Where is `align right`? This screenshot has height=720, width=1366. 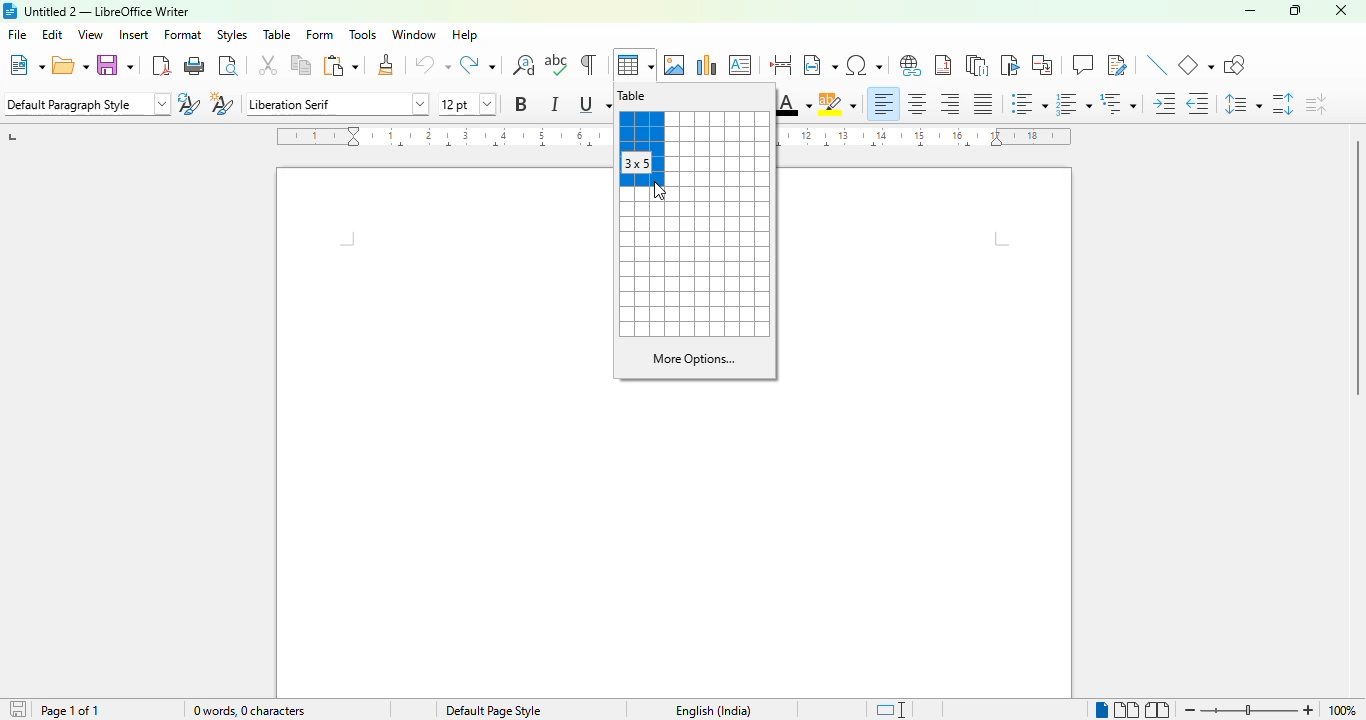
align right is located at coordinates (951, 103).